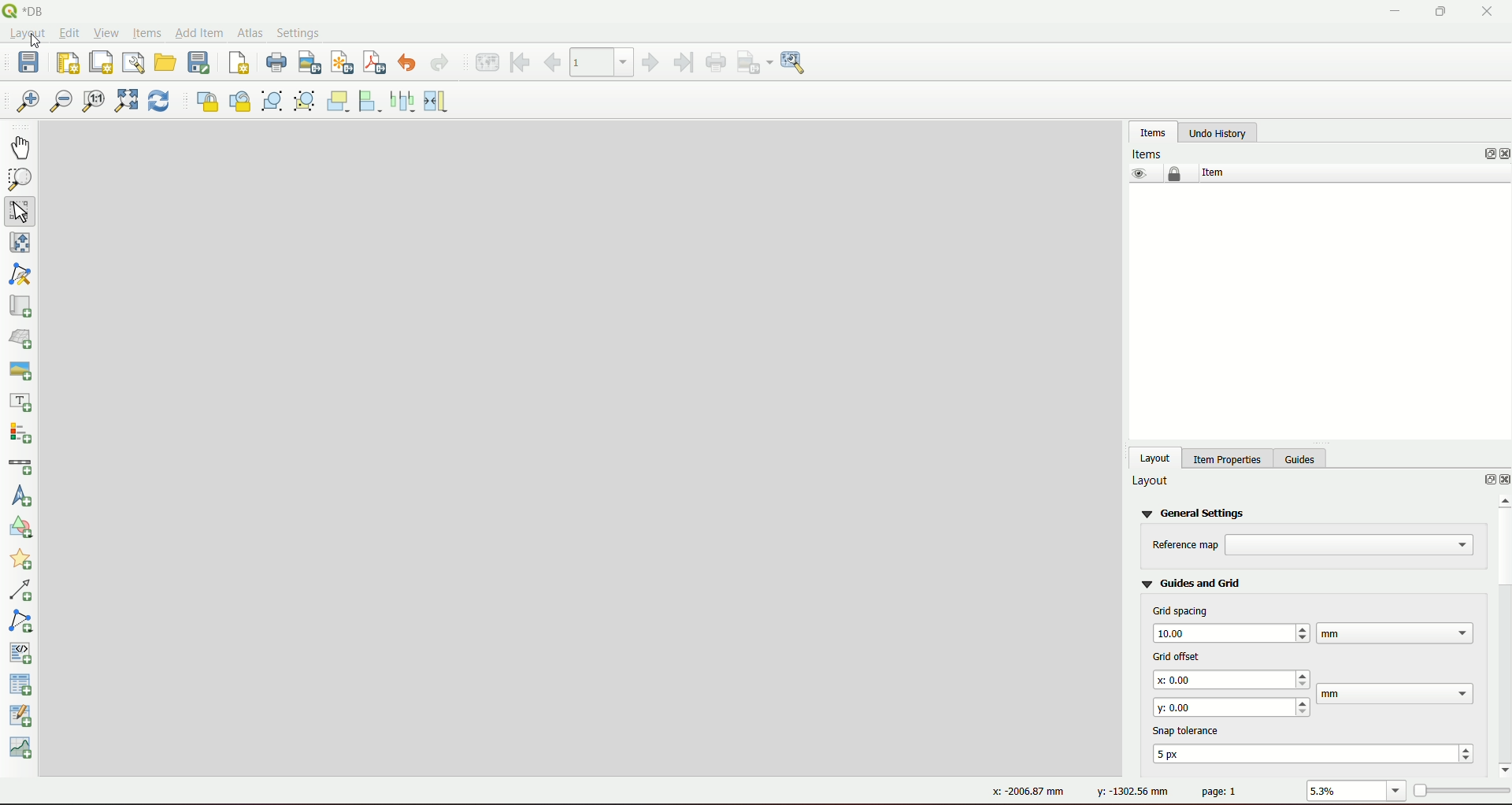  I want to click on add pages, so click(238, 65).